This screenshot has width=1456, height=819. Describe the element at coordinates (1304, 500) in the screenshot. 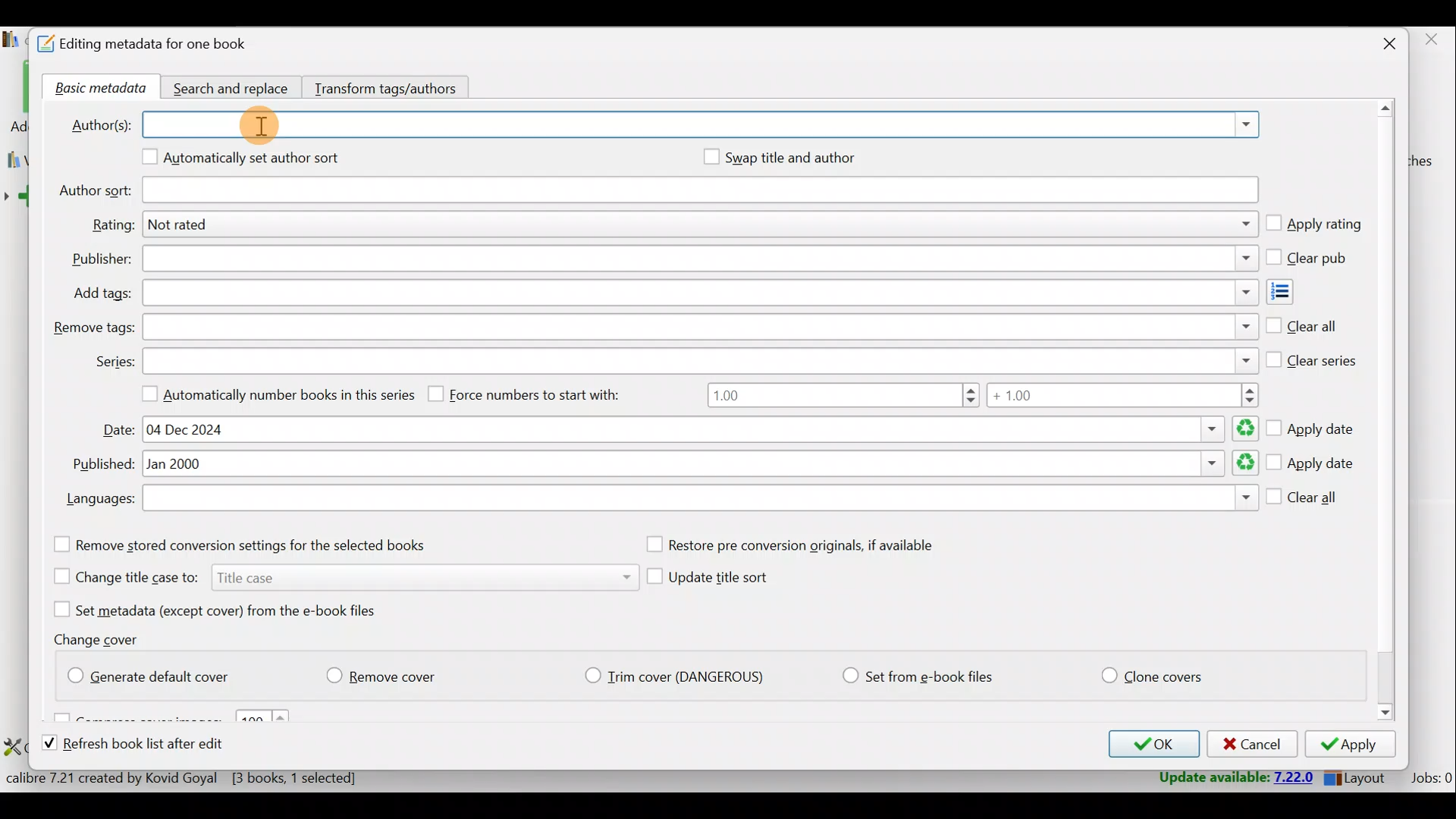

I see `Clear all` at that location.